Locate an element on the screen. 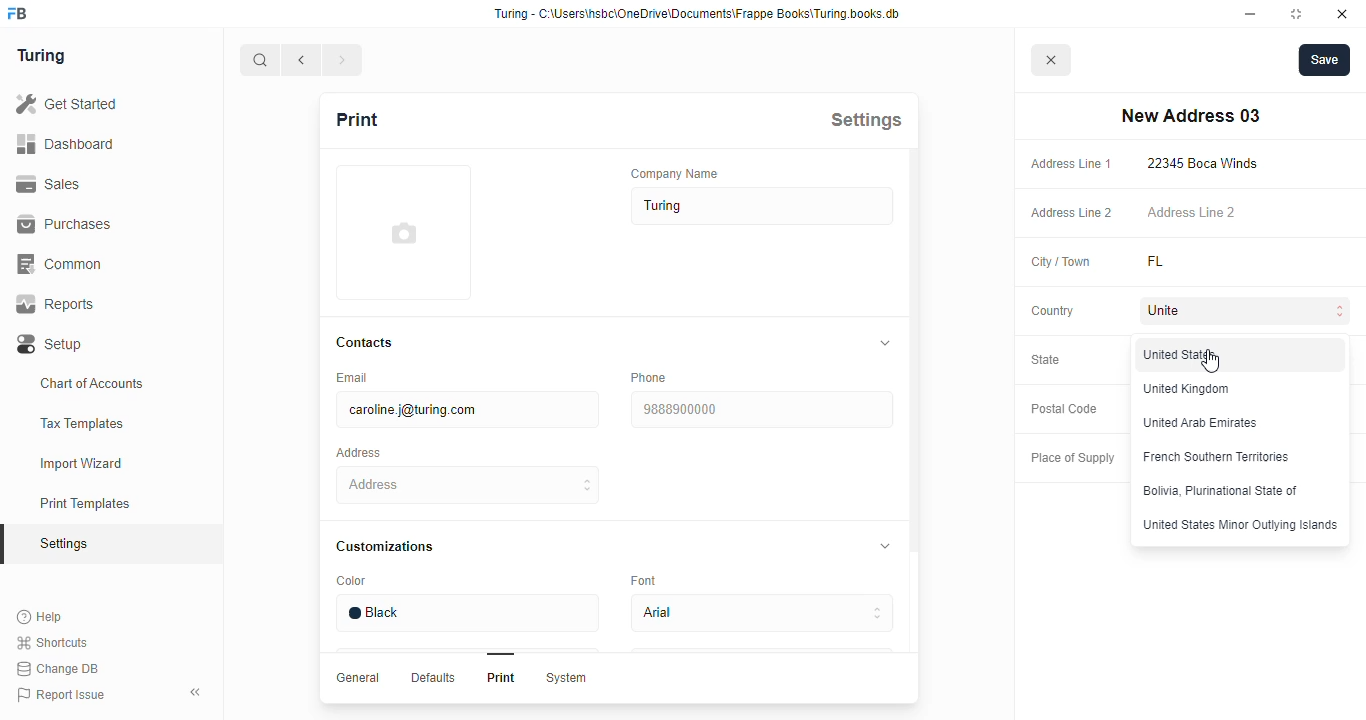  address line 2 is located at coordinates (1191, 211).